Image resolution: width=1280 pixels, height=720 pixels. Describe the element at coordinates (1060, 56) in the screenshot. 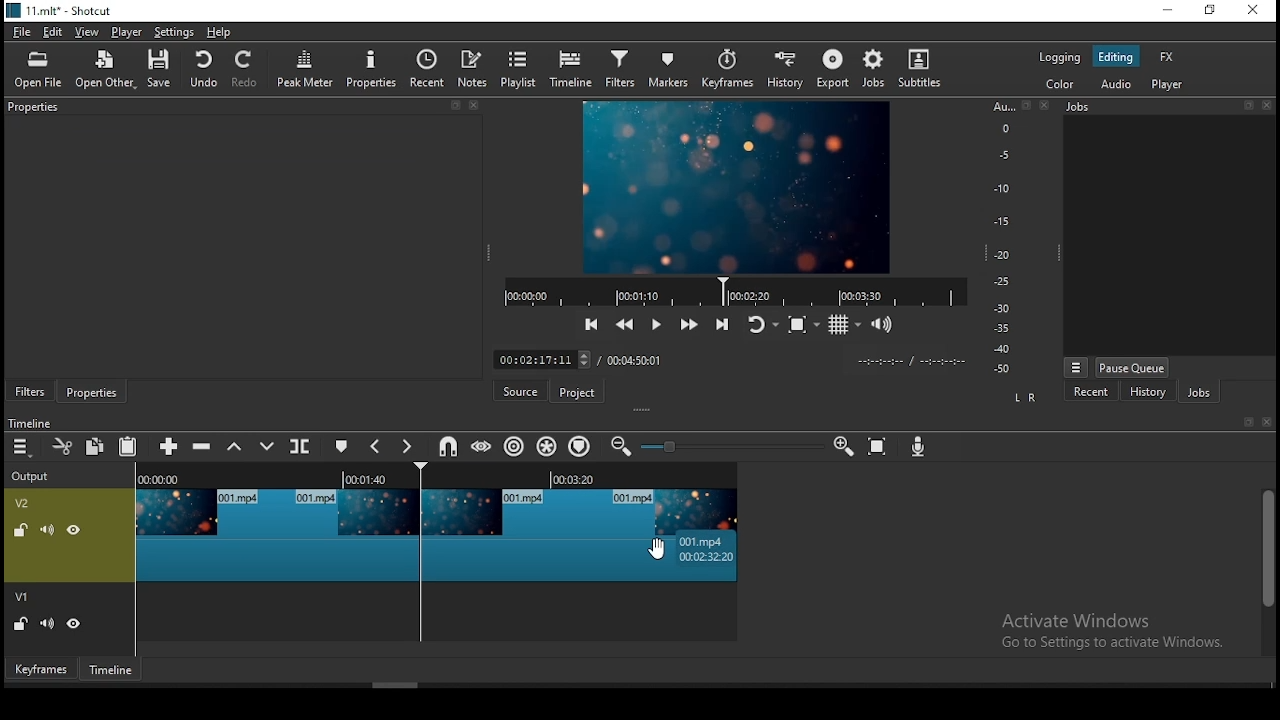

I see `logging` at that location.